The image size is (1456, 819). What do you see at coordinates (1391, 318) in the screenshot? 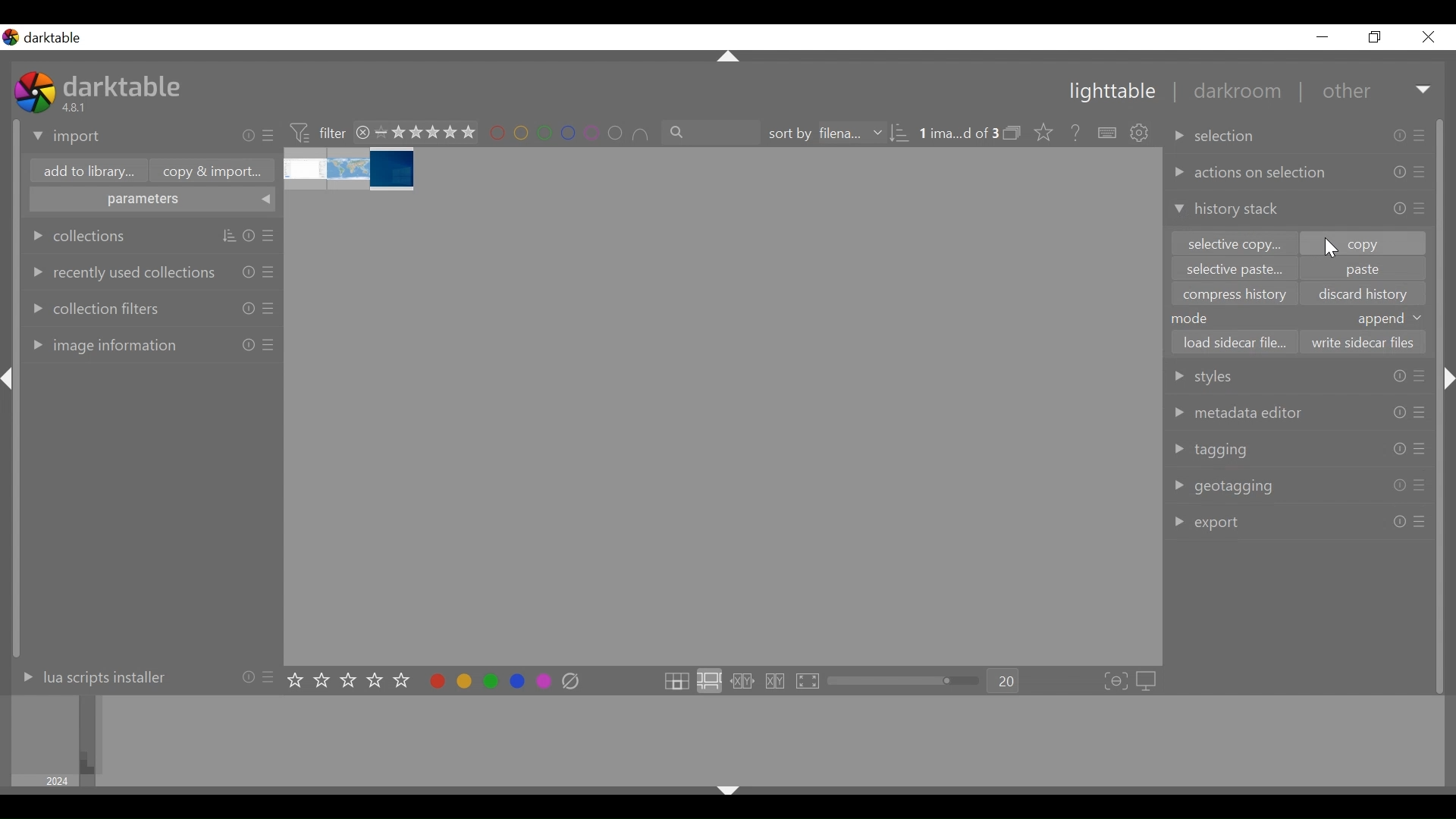
I see `append` at bounding box center [1391, 318].